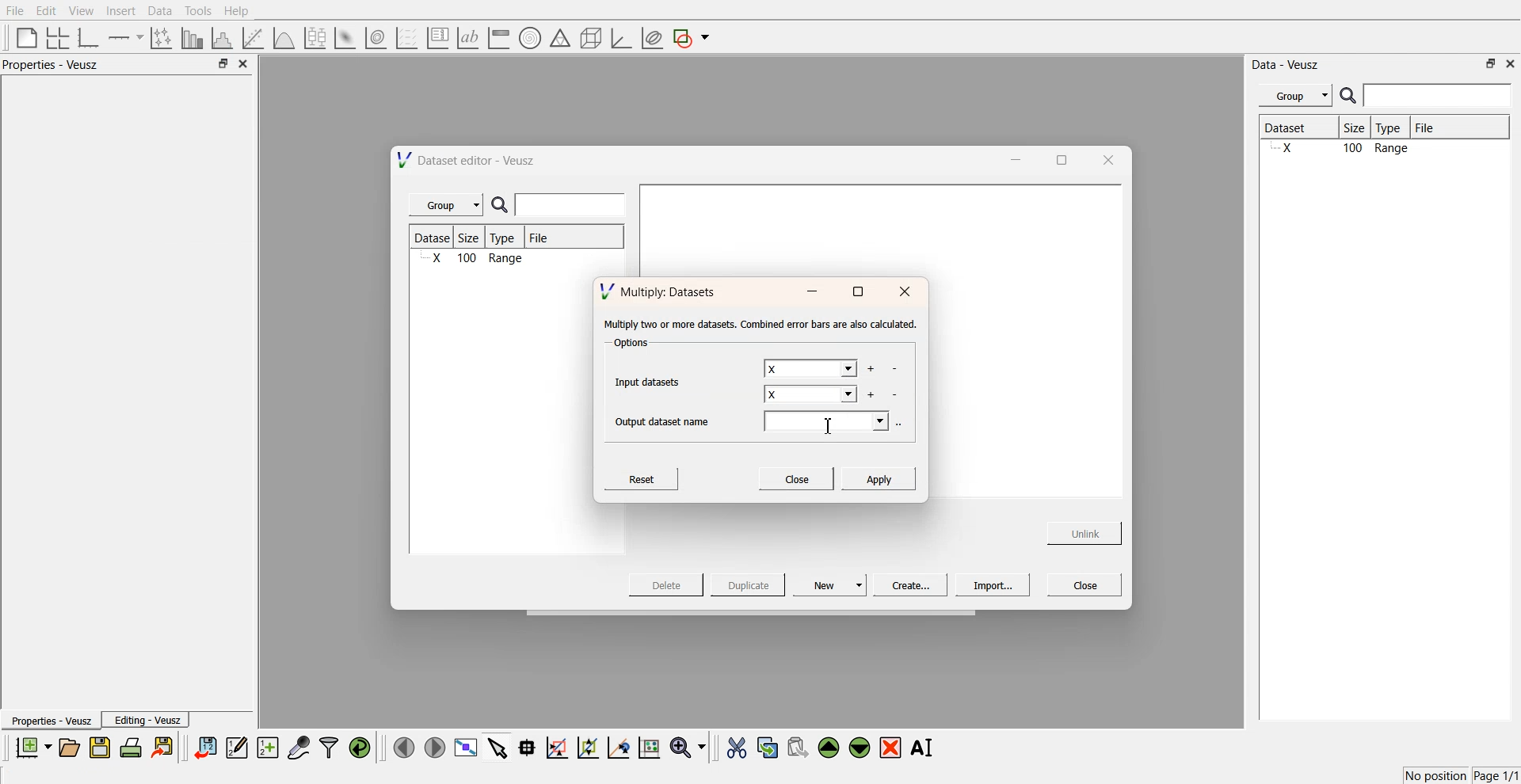  I want to click on histogram, so click(225, 37).